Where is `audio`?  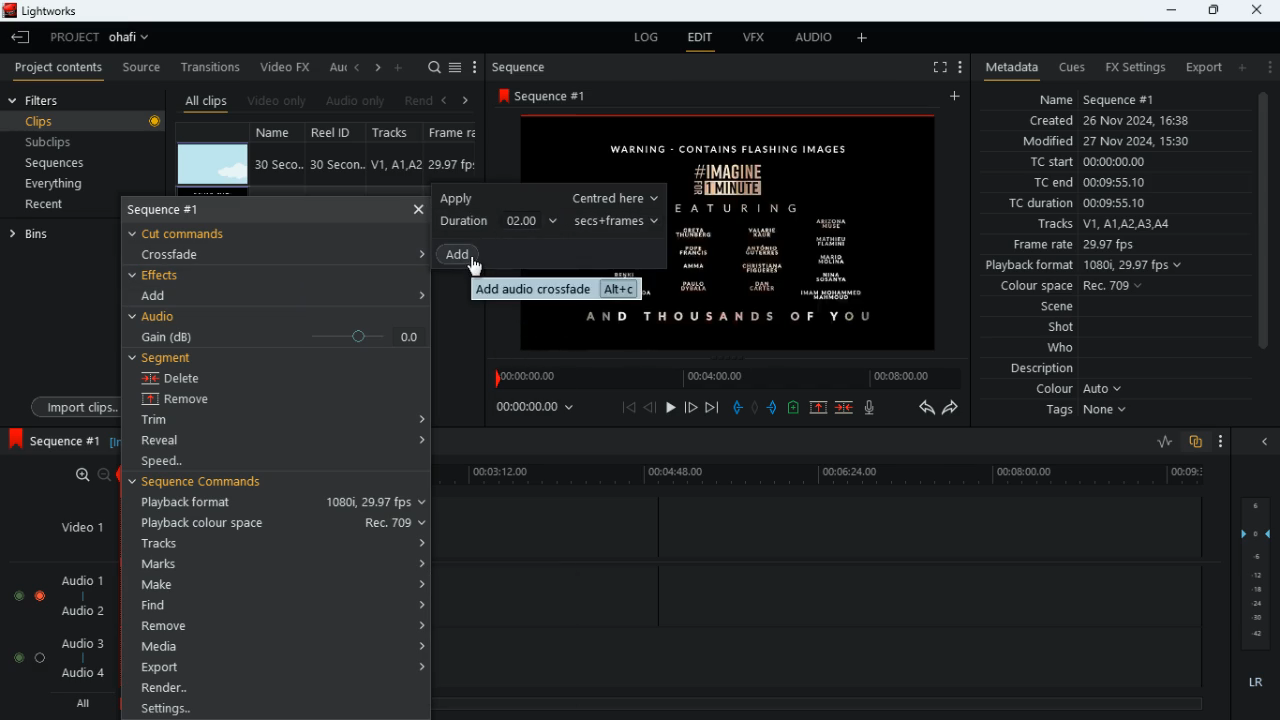 audio is located at coordinates (809, 39).